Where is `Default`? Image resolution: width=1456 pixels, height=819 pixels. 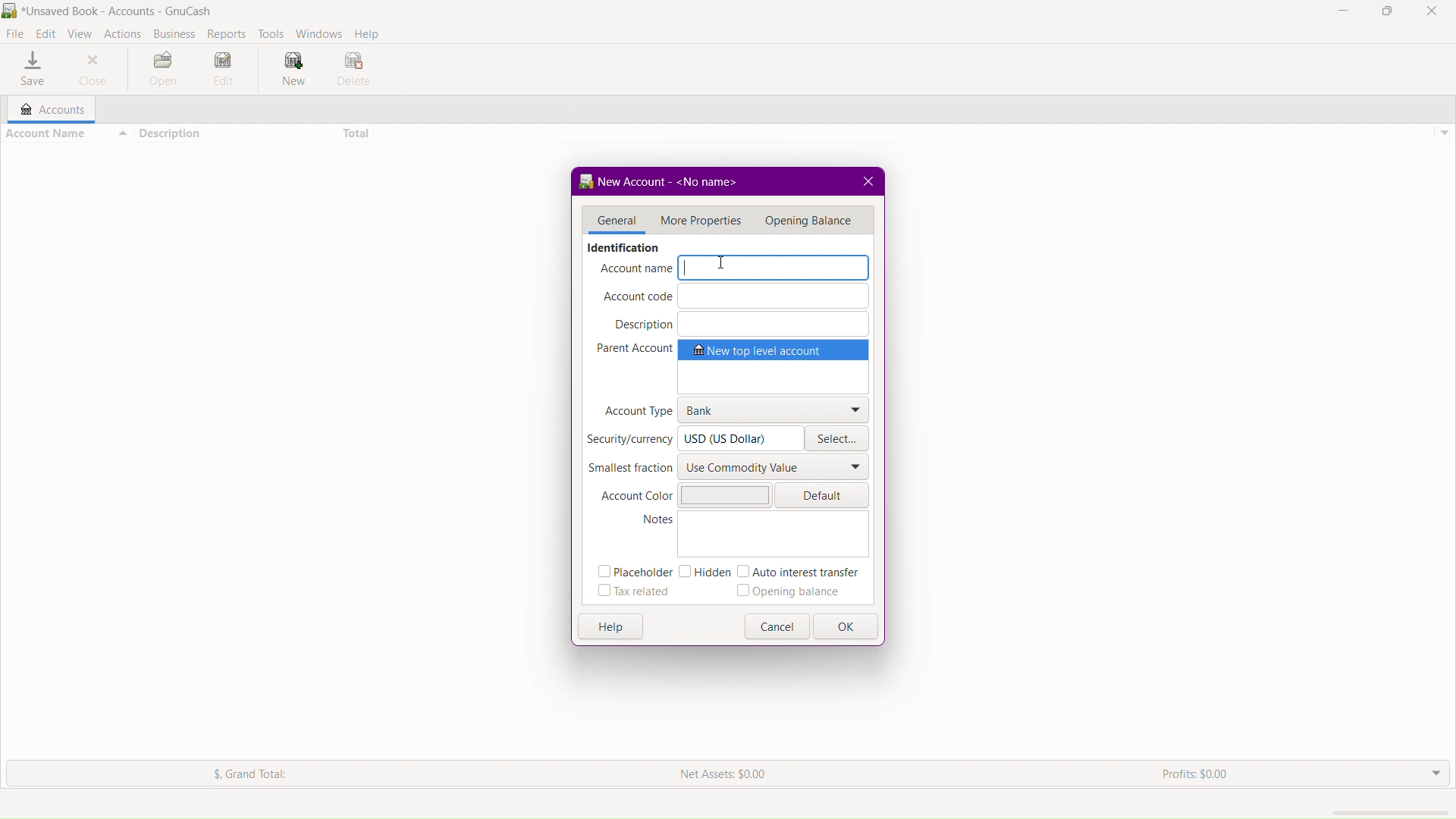
Default is located at coordinates (826, 494).